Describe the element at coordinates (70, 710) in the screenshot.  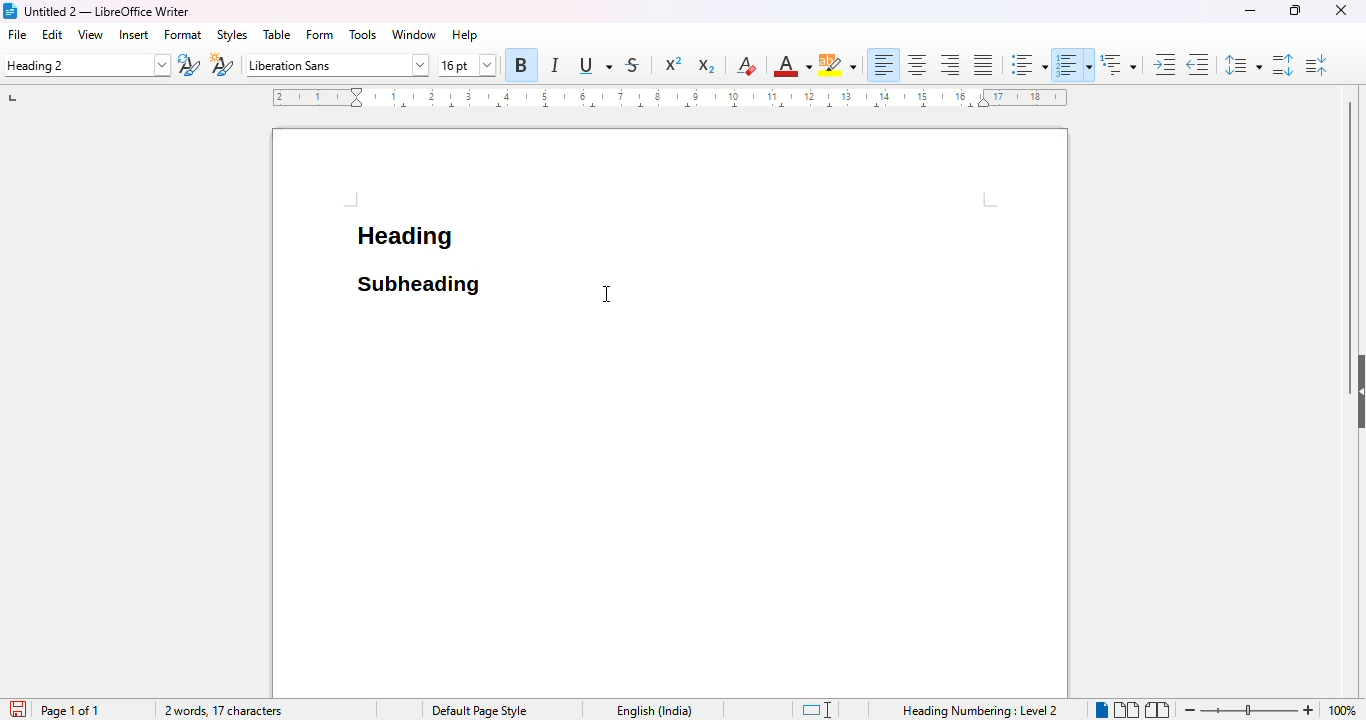
I see `page 1 of 1` at that location.